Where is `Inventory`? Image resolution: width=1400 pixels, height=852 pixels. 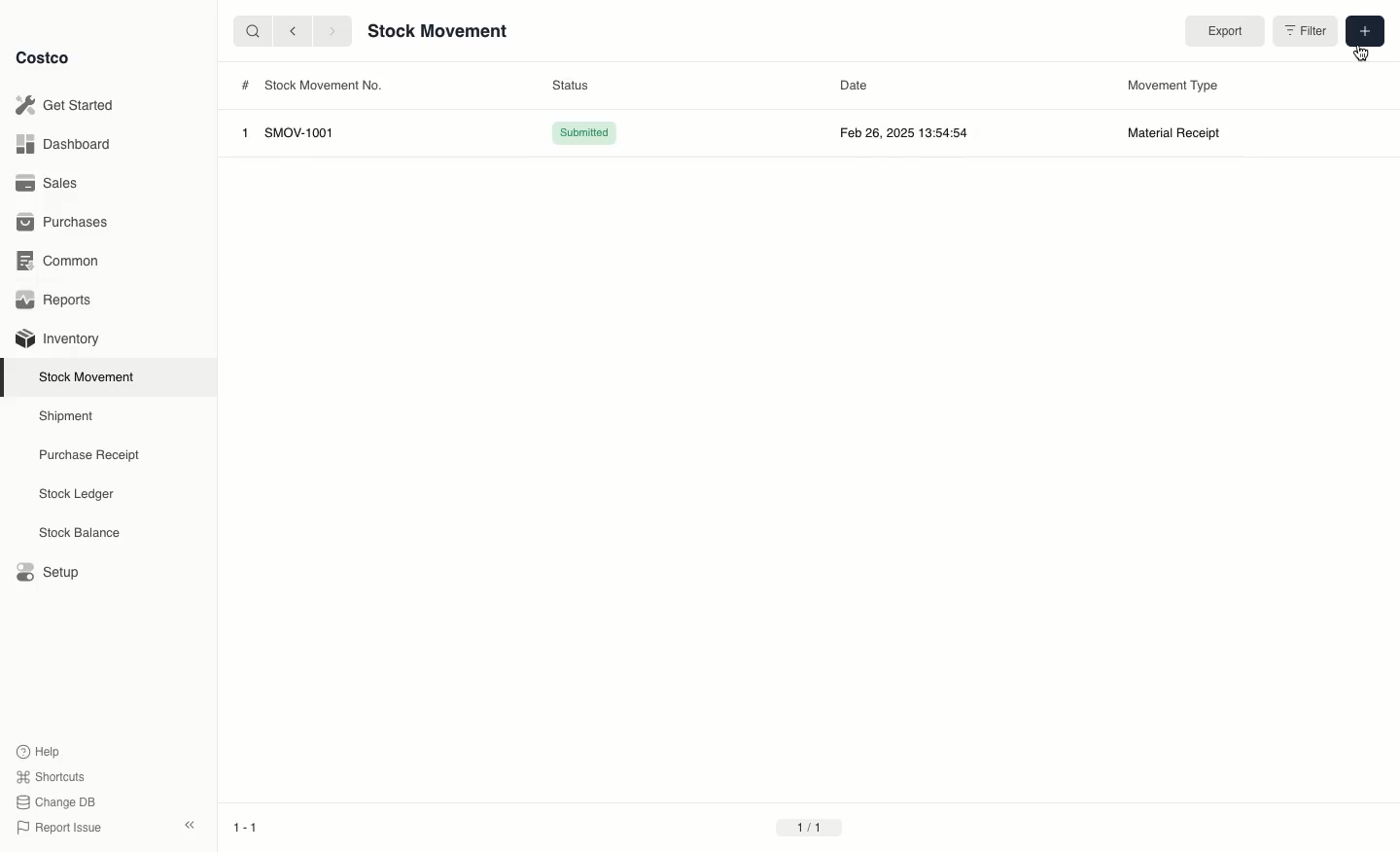
Inventory is located at coordinates (60, 339).